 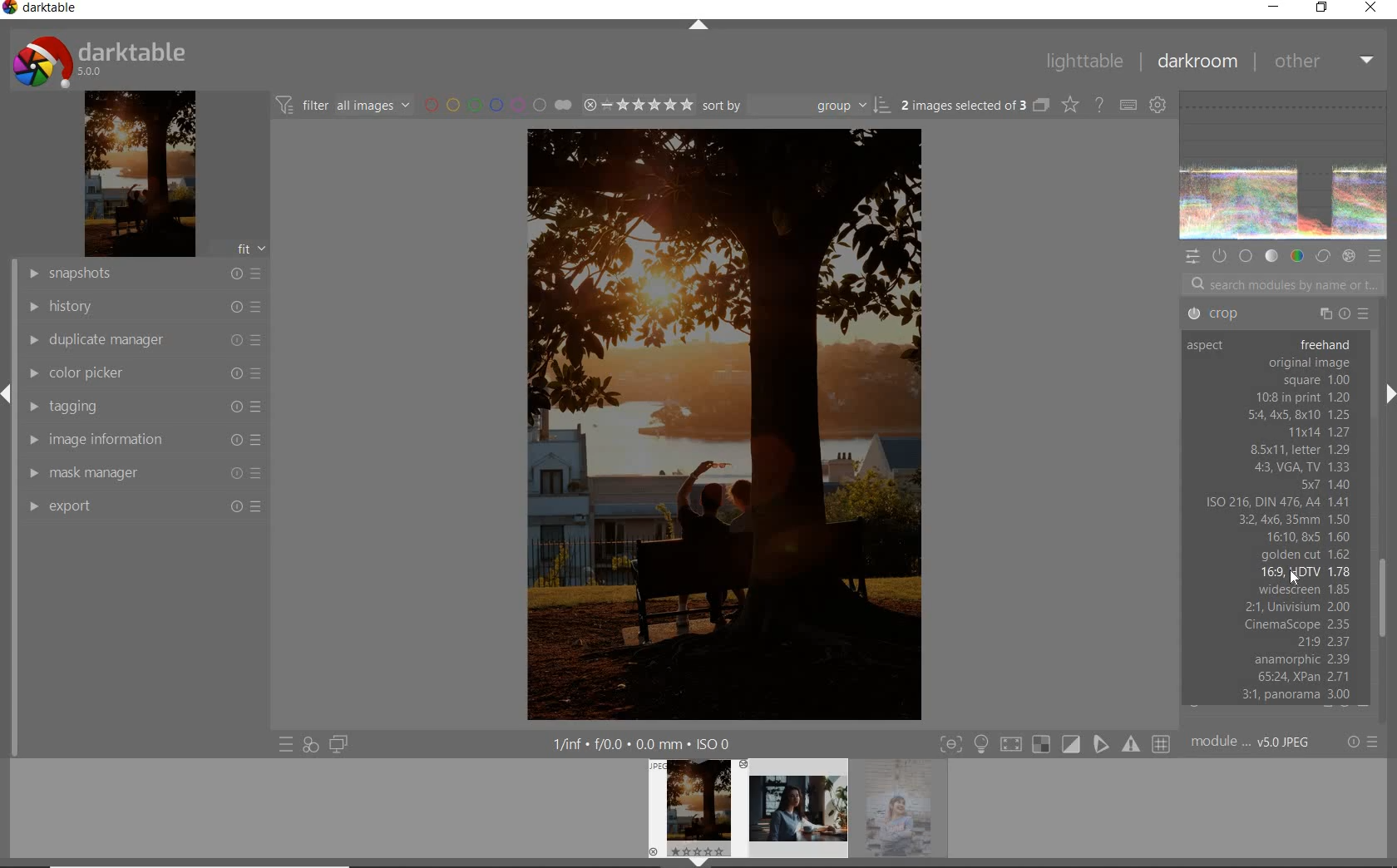 What do you see at coordinates (249, 250) in the screenshot?
I see `Fit` at bounding box center [249, 250].